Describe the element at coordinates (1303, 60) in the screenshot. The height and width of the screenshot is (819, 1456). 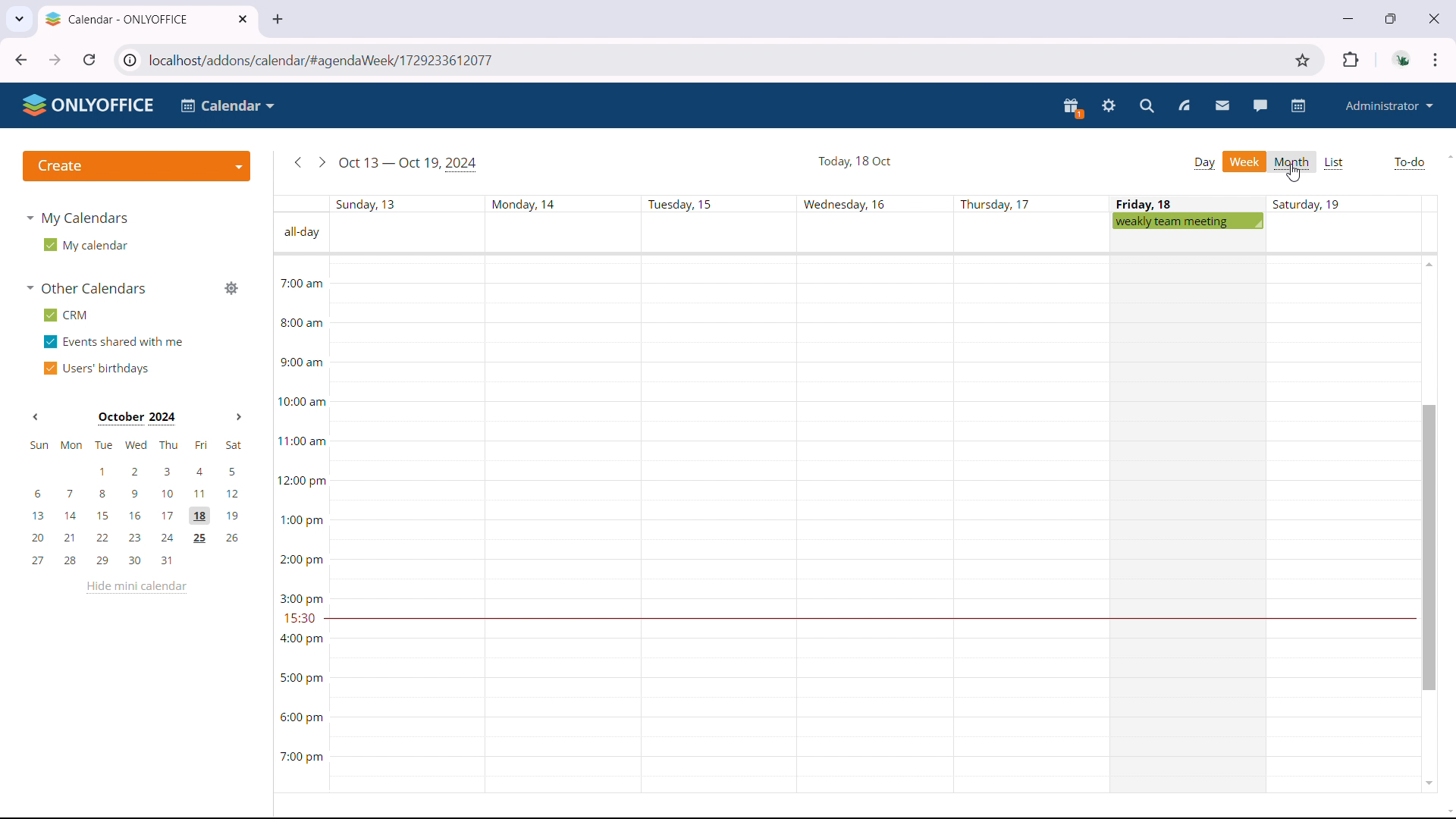
I see `bookmark this tab` at that location.